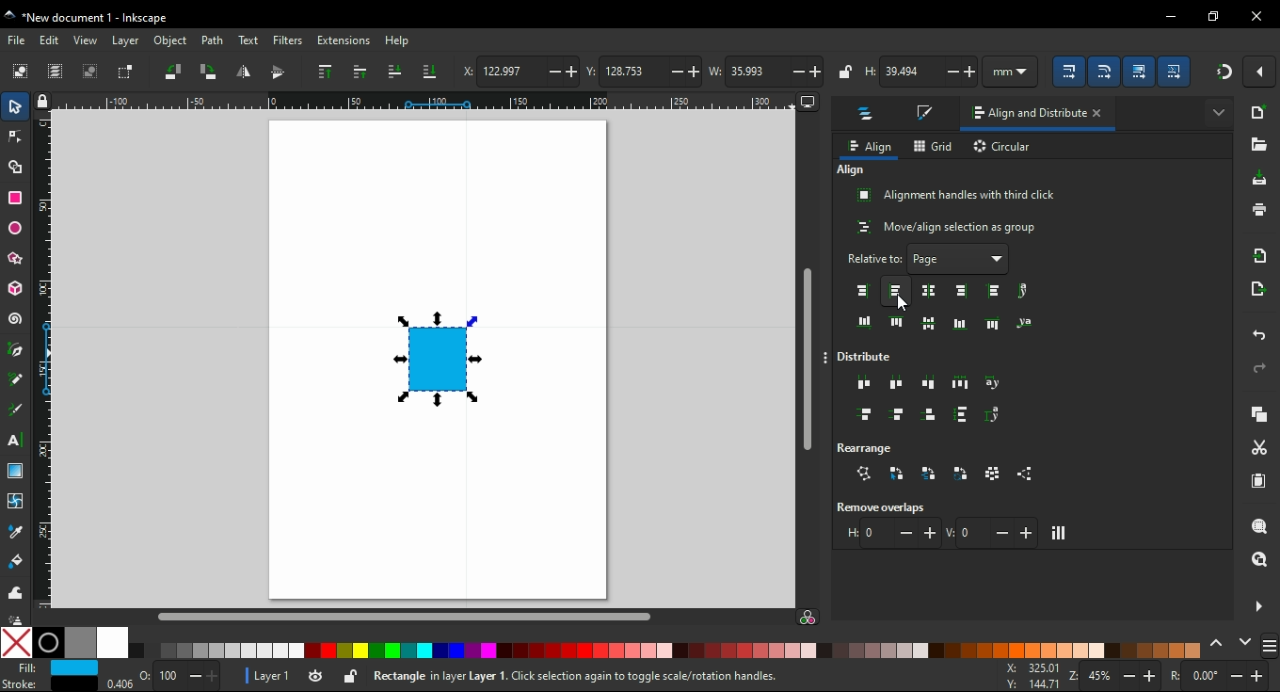 The image size is (1280, 692). Describe the element at coordinates (1256, 214) in the screenshot. I see `print` at that location.